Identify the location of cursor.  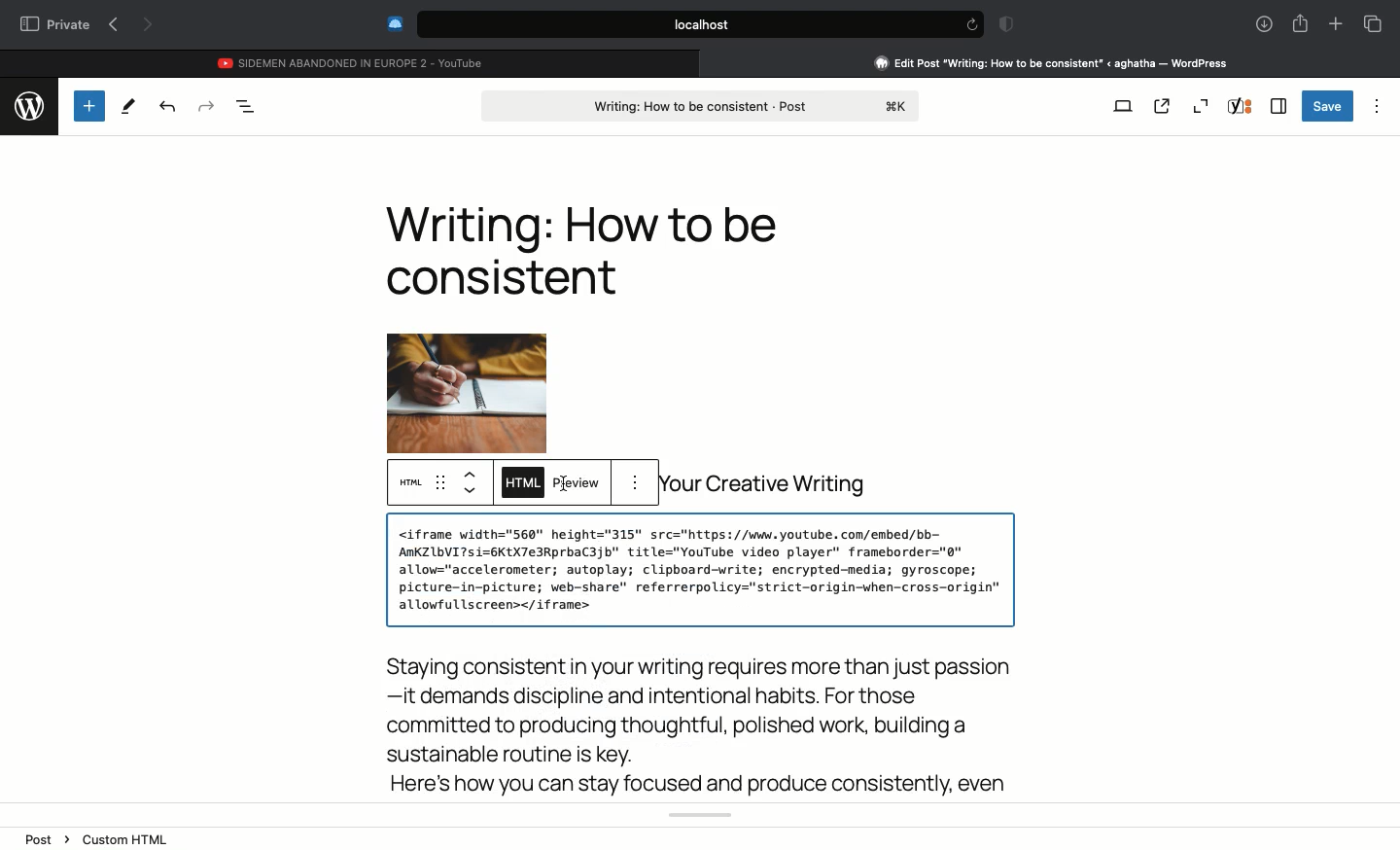
(561, 482).